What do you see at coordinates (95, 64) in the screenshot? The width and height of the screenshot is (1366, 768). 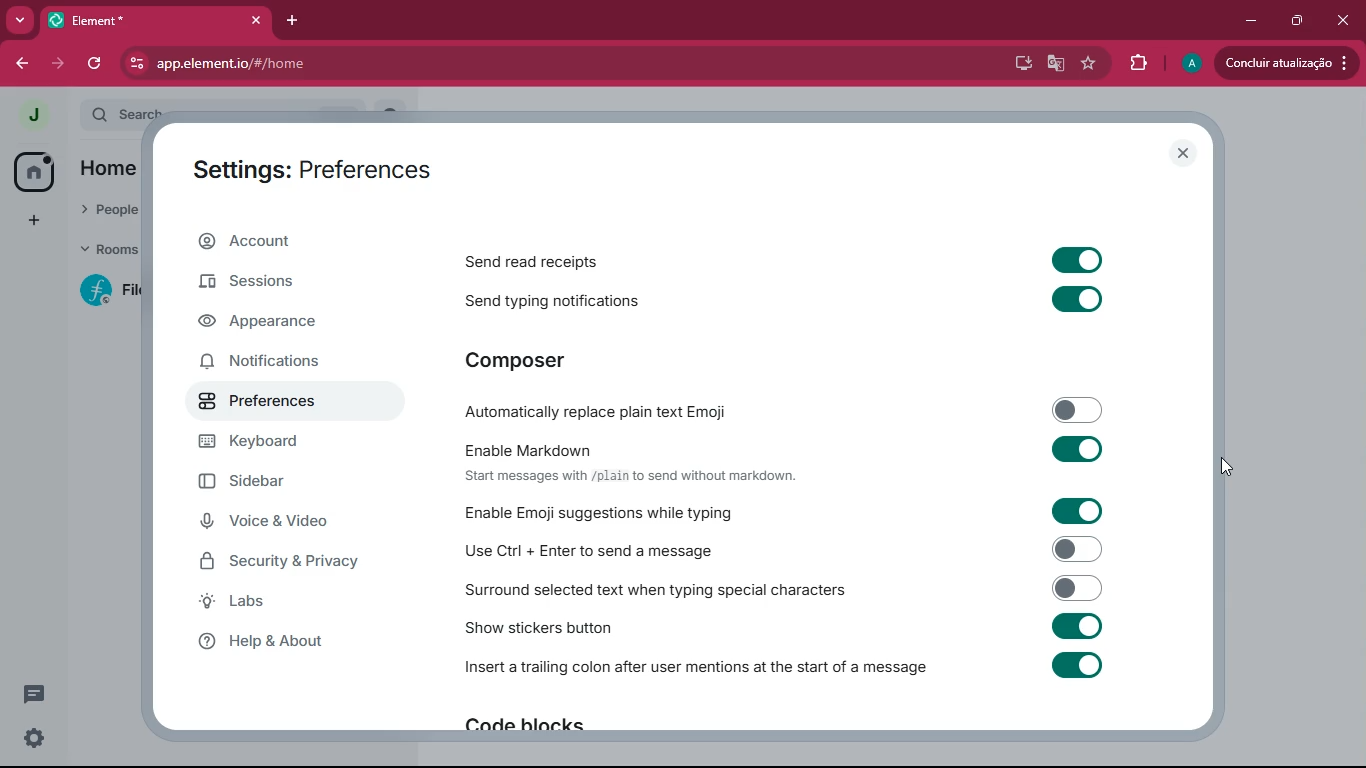 I see `refresh` at bounding box center [95, 64].